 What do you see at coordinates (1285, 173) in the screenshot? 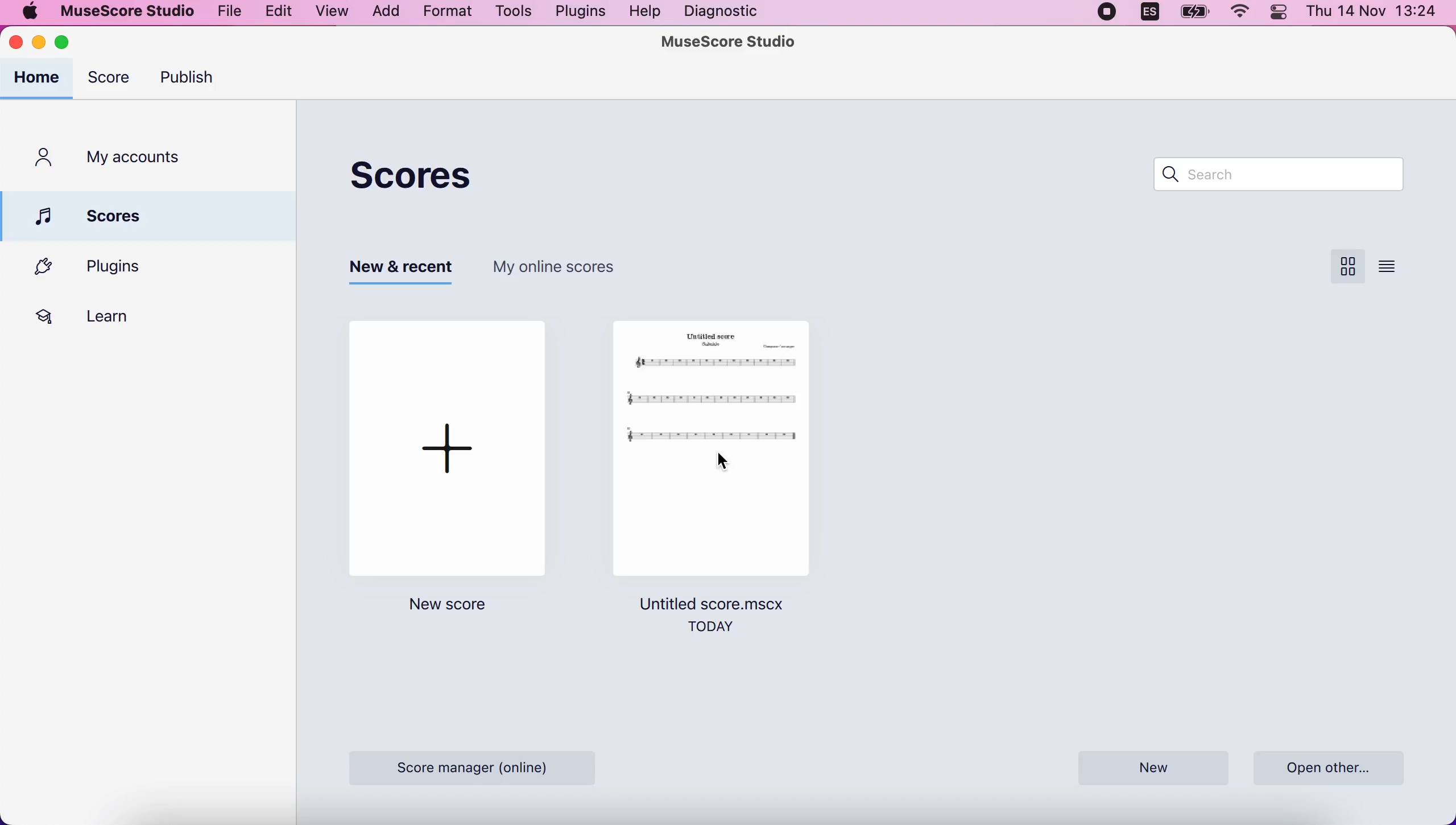
I see `search` at bounding box center [1285, 173].